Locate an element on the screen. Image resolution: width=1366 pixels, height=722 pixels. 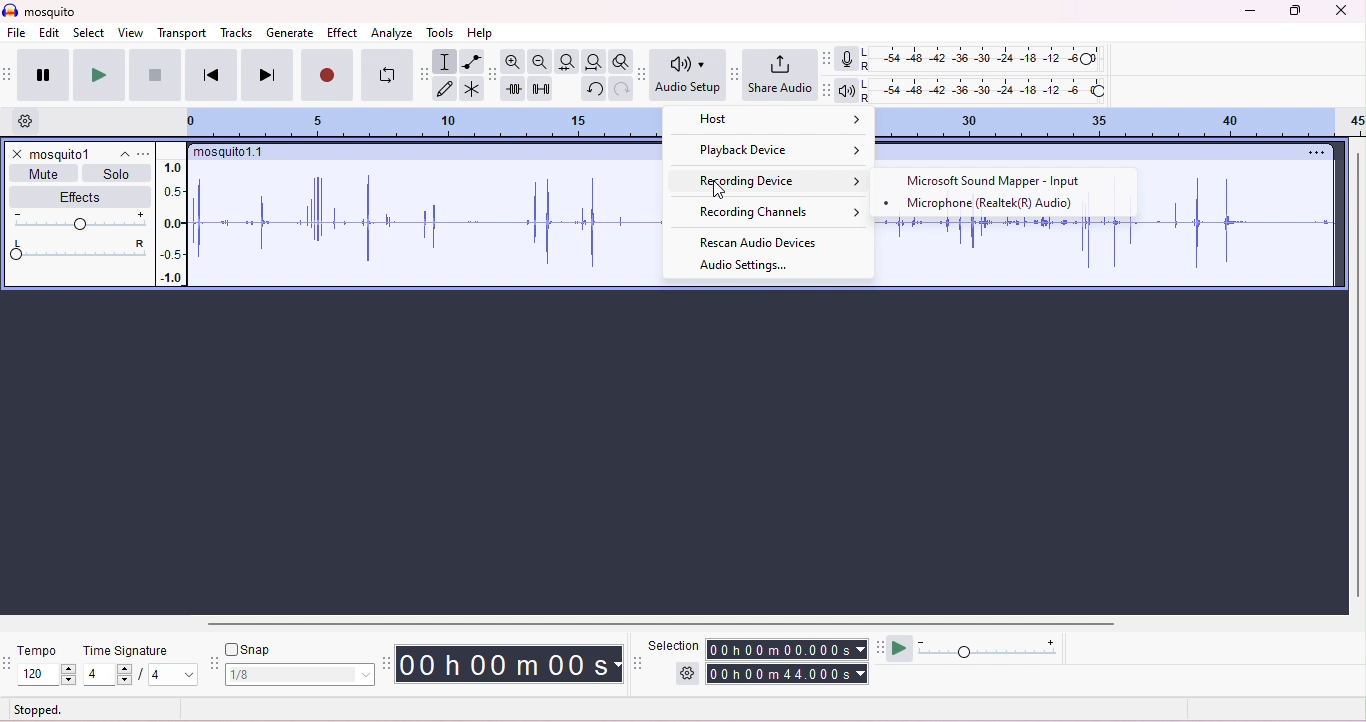
close is located at coordinates (16, 154).